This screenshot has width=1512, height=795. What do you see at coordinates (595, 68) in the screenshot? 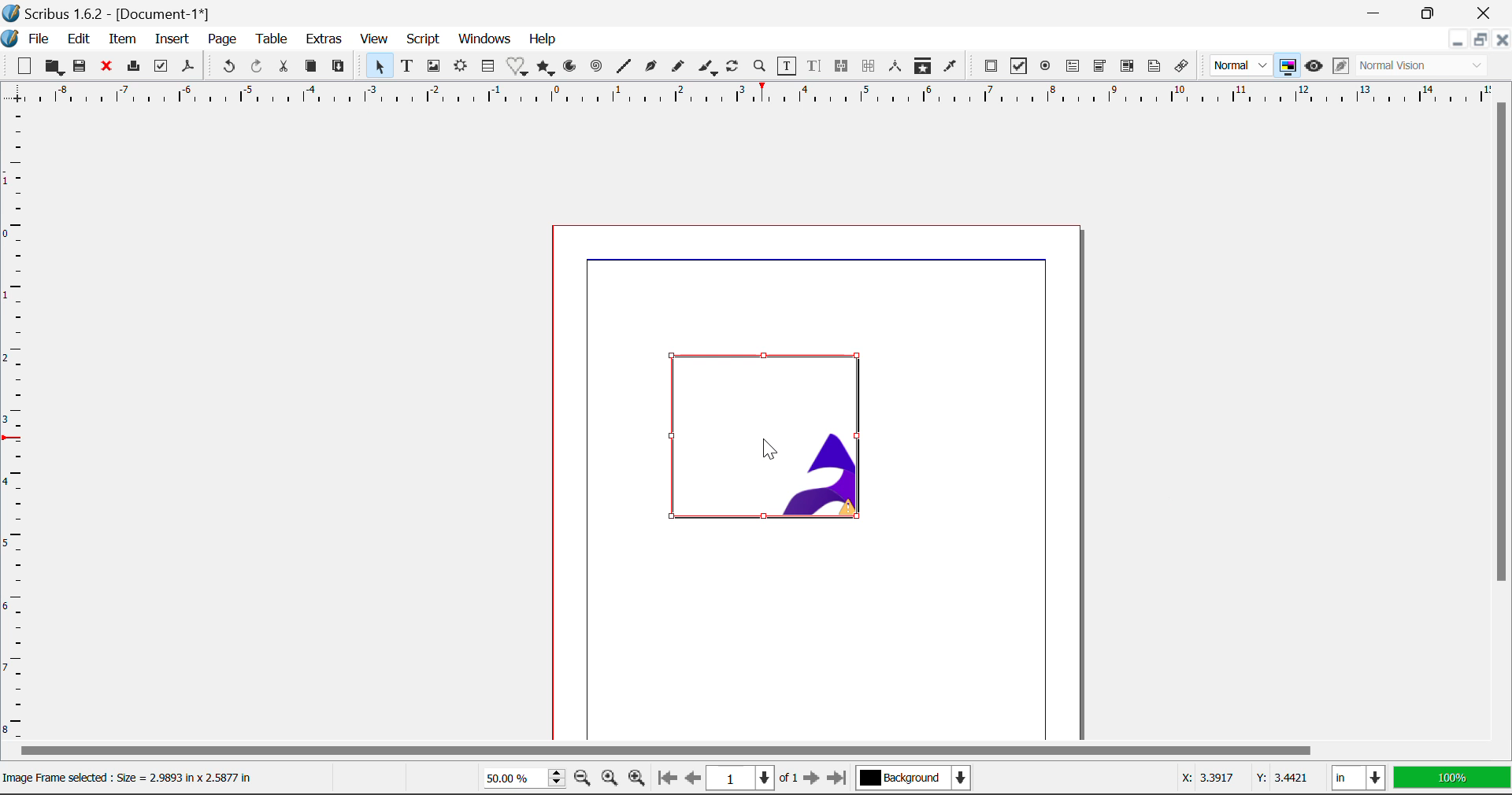
I see `Spiral` at bounding box center [595, 68].